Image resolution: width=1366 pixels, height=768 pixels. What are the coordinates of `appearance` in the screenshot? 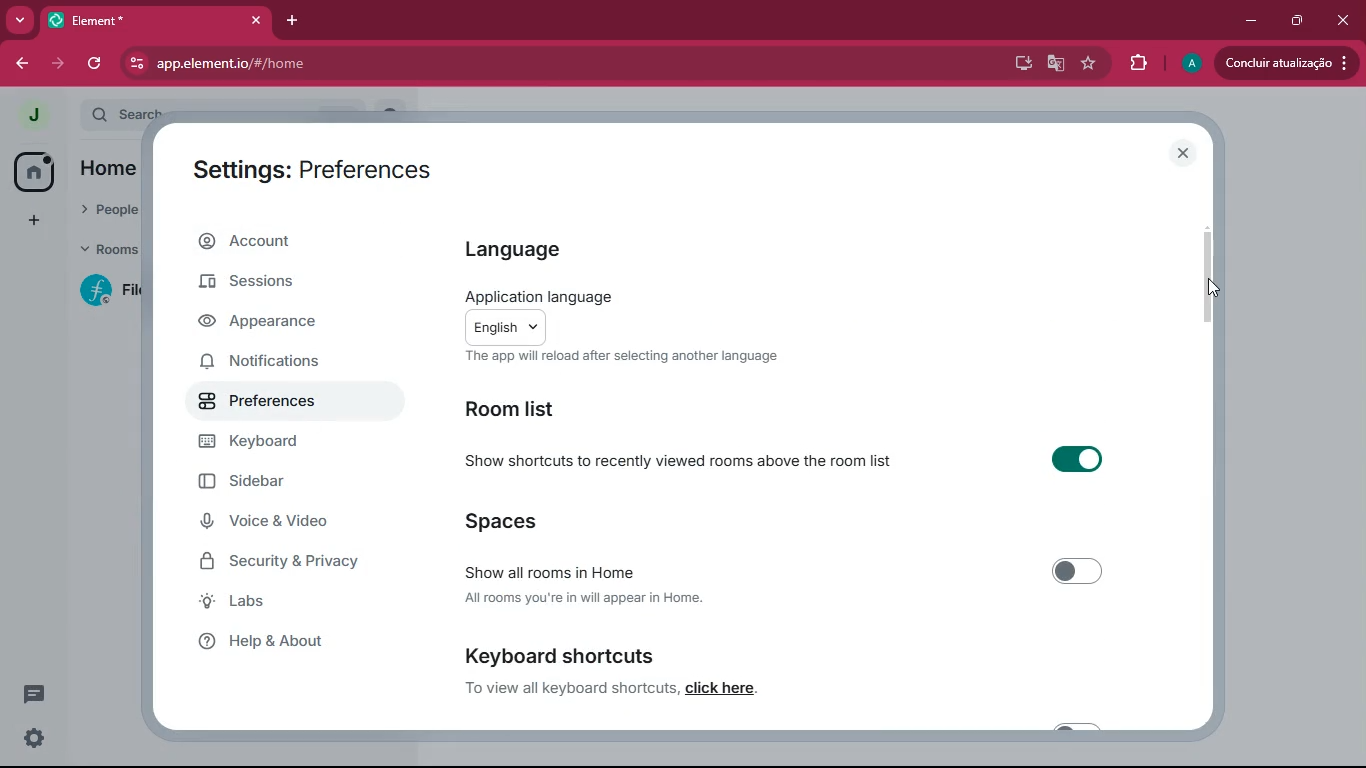 It's located at (282, 322).